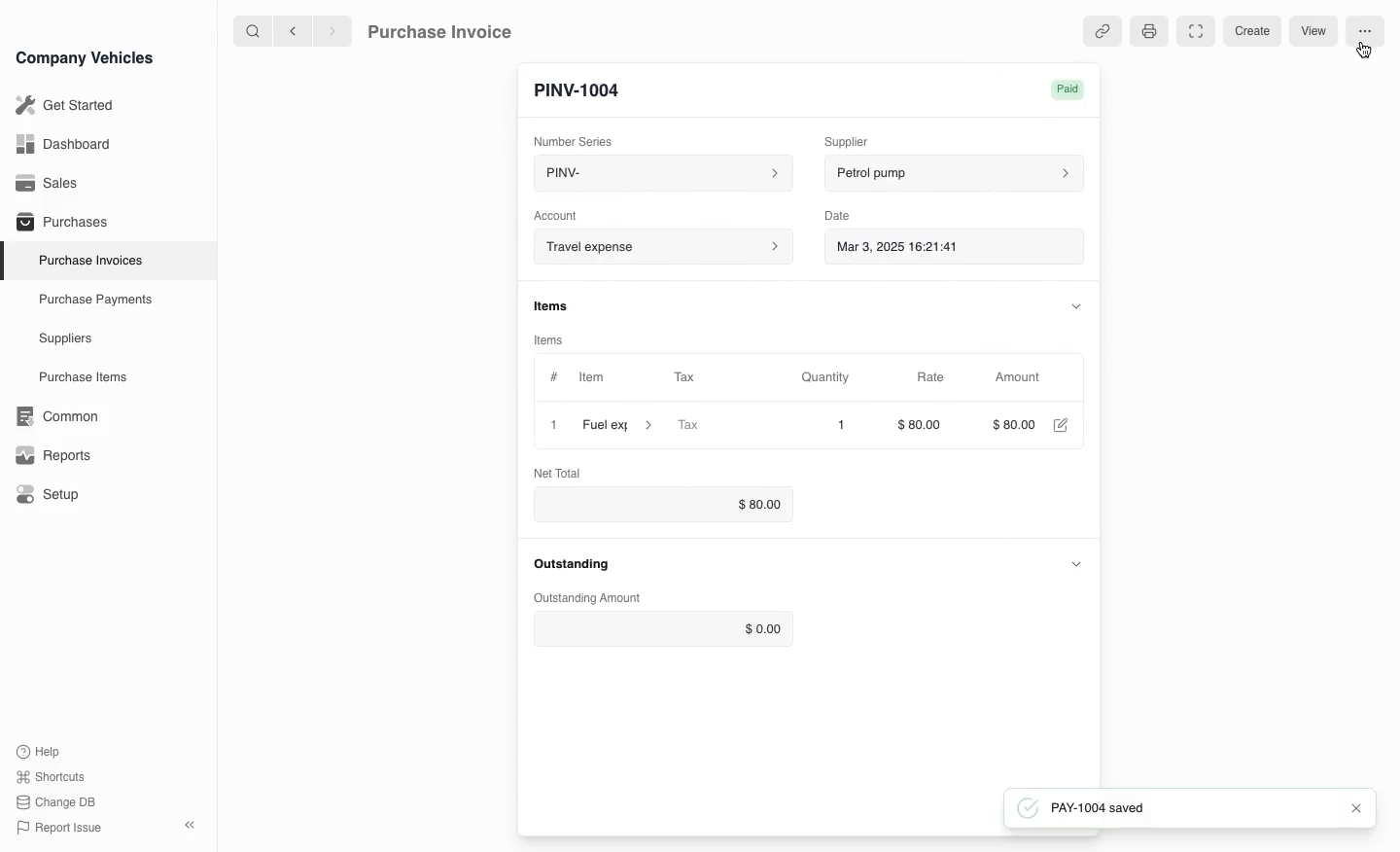  What do you see at coordinates (192, 823) in the screenshot?
I see `close sidebar` at bounding box center [192, 823].